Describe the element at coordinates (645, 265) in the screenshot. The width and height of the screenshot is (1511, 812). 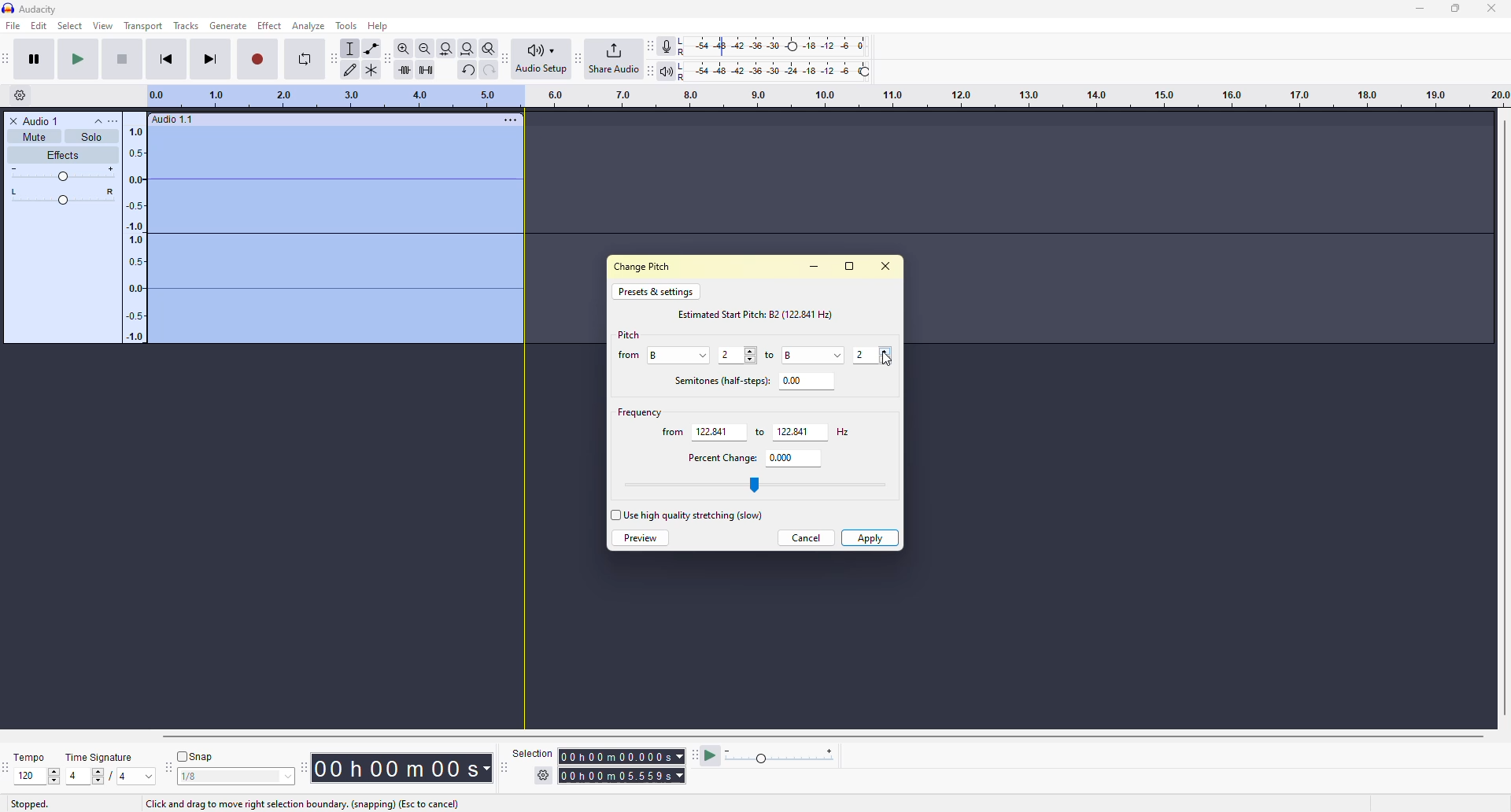
I see `change pitch` at that location.